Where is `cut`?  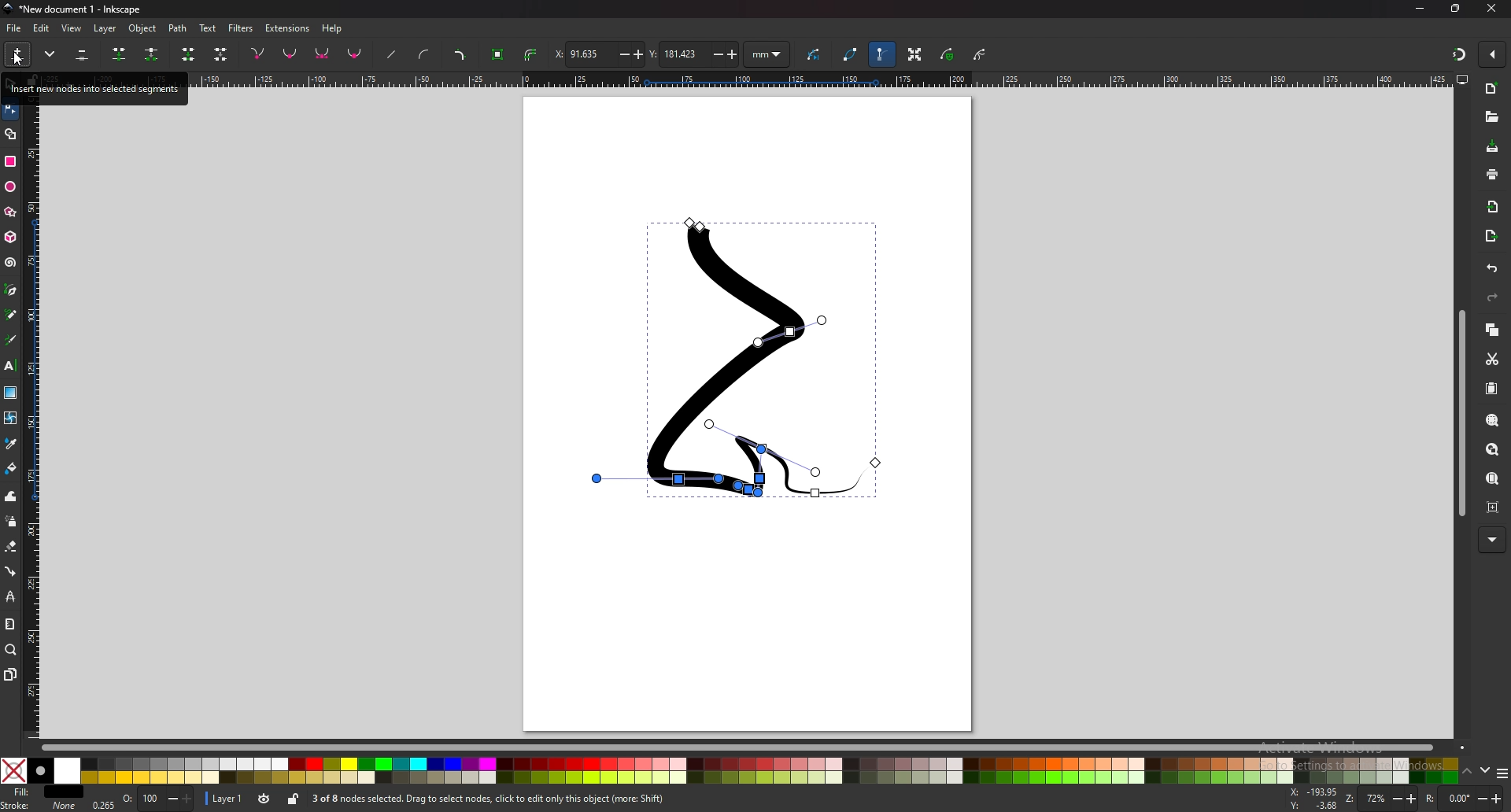
cut is located at coordinates (1491, 360).